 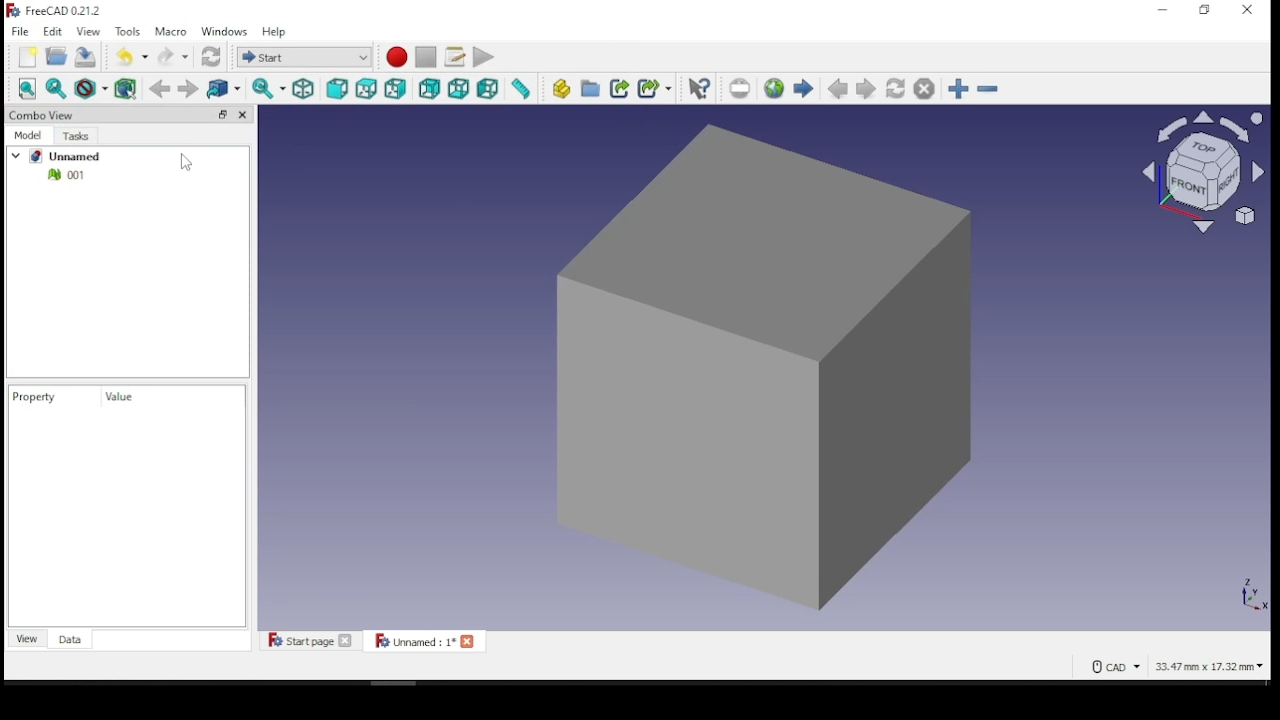 What do you see at coordinates (73, 156) in the screenshot?
I see `unnamed` at bounding box center [73, 156].